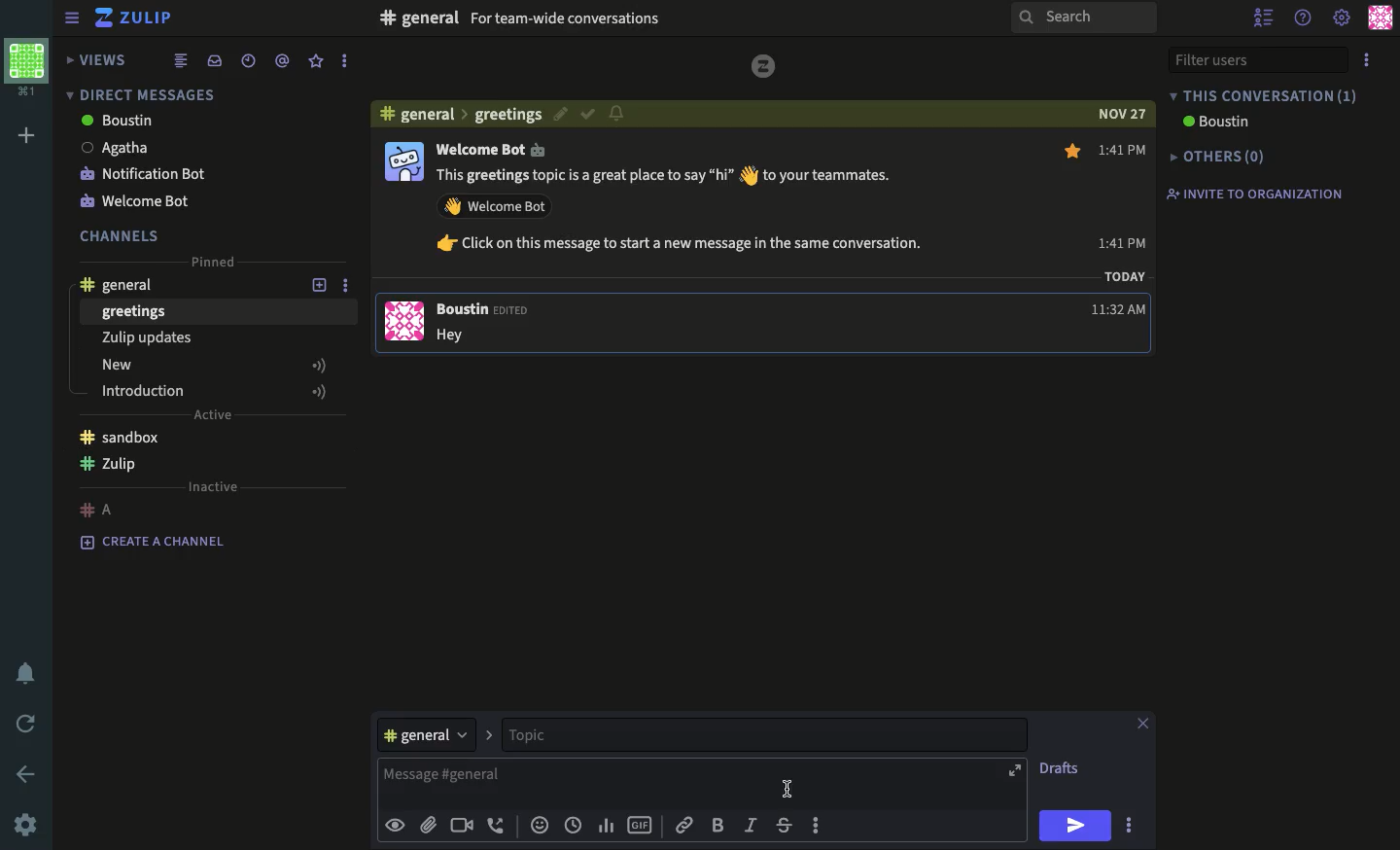 This screenshot has width=1400, height=850. I want to click on bold, so click(718, 826).